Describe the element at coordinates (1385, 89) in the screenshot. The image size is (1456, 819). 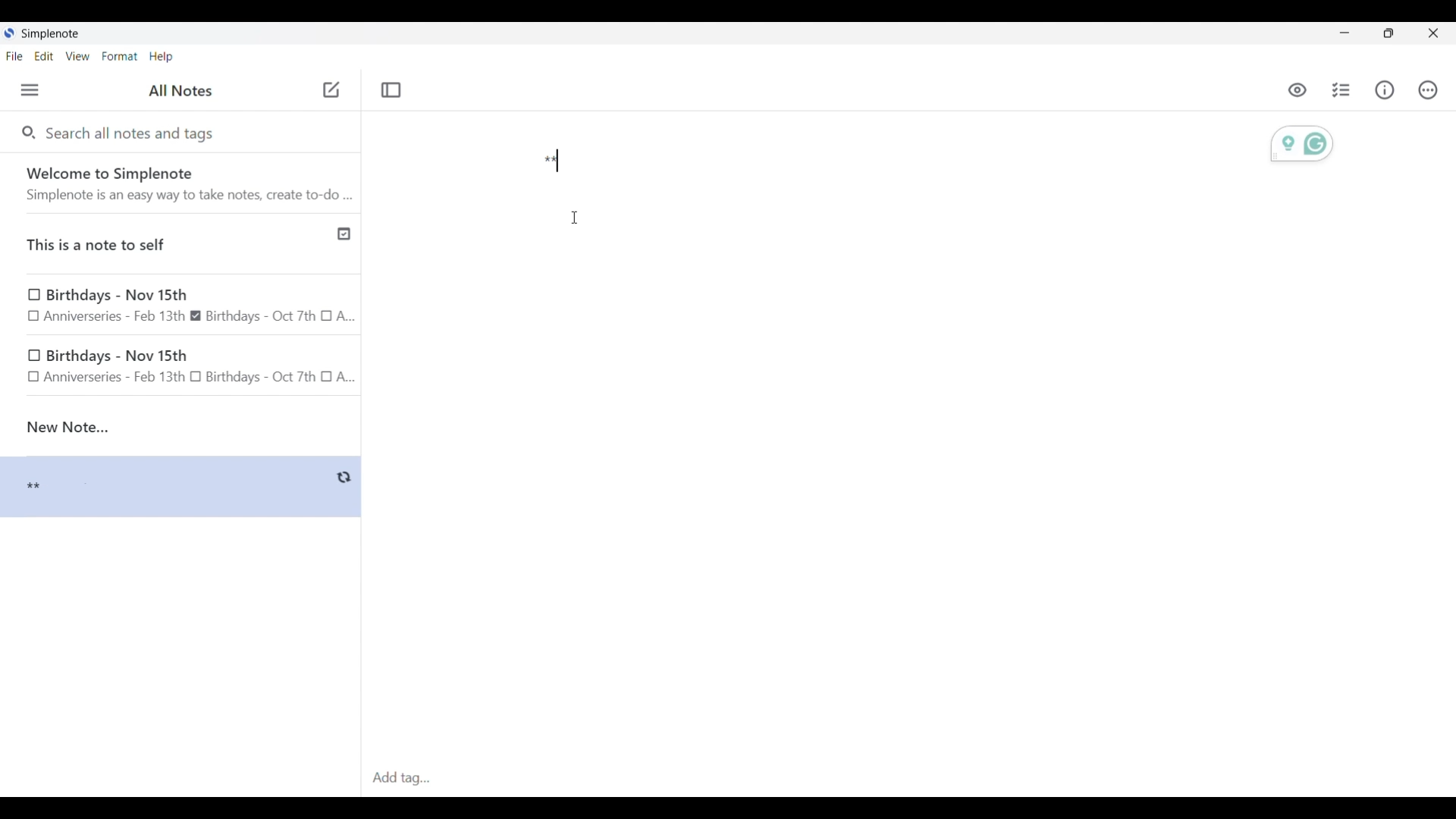
I see `Info` at that location.